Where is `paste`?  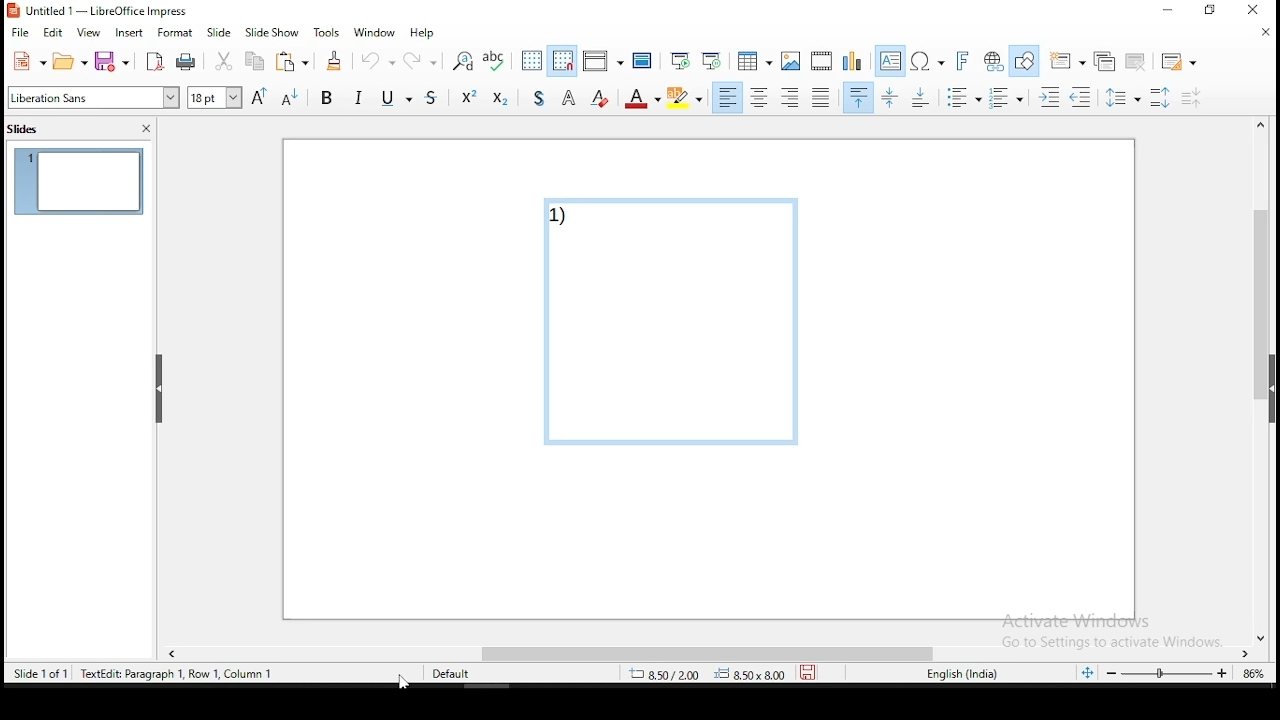 paste is located at coordinates (294, 63).